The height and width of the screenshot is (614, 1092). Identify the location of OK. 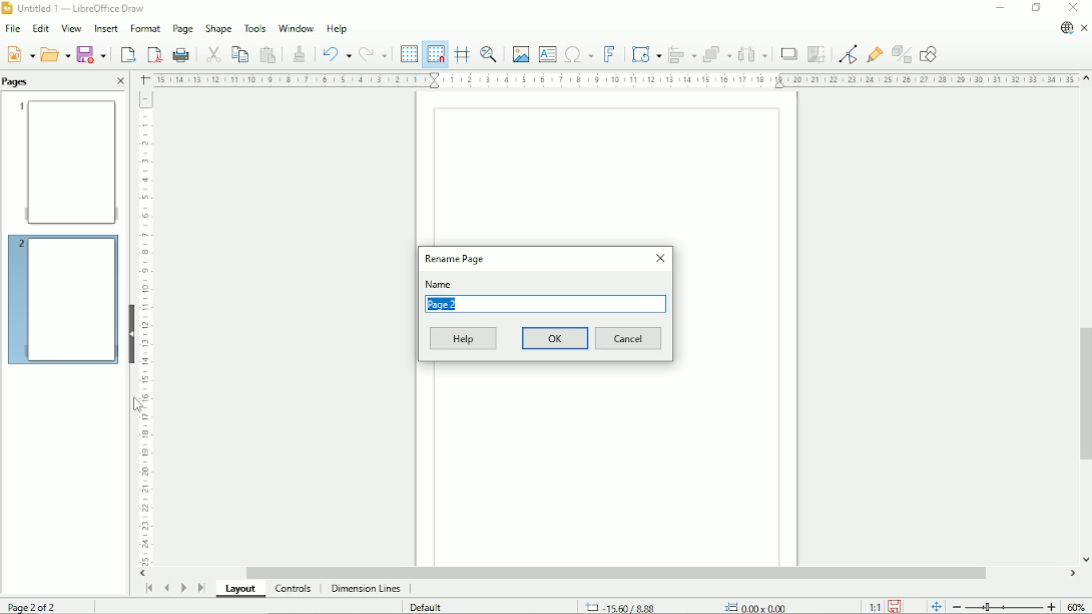
(556, 338).